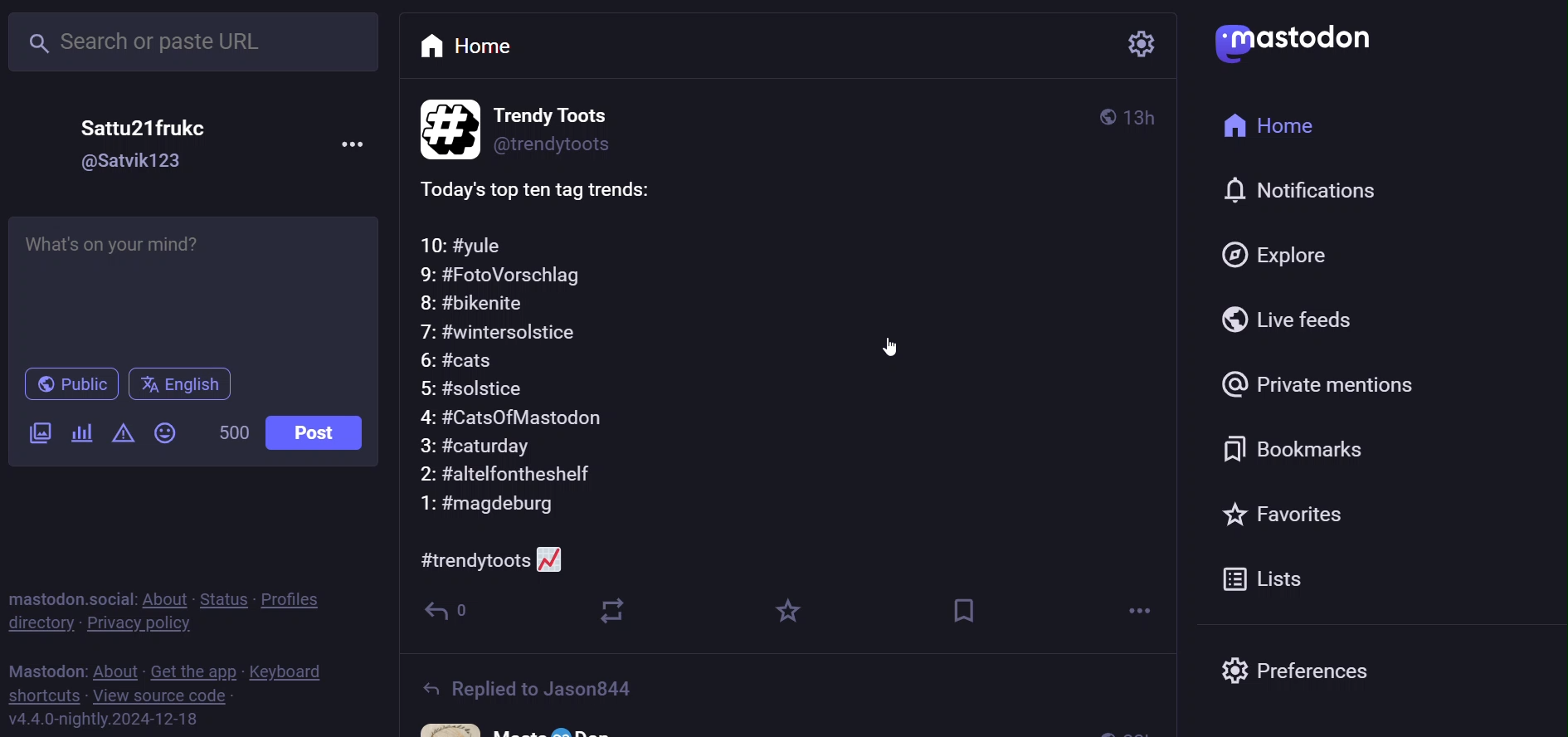  Describe the element at coordinates (123, 432) in the screenshot. I see `content warning` at that location.